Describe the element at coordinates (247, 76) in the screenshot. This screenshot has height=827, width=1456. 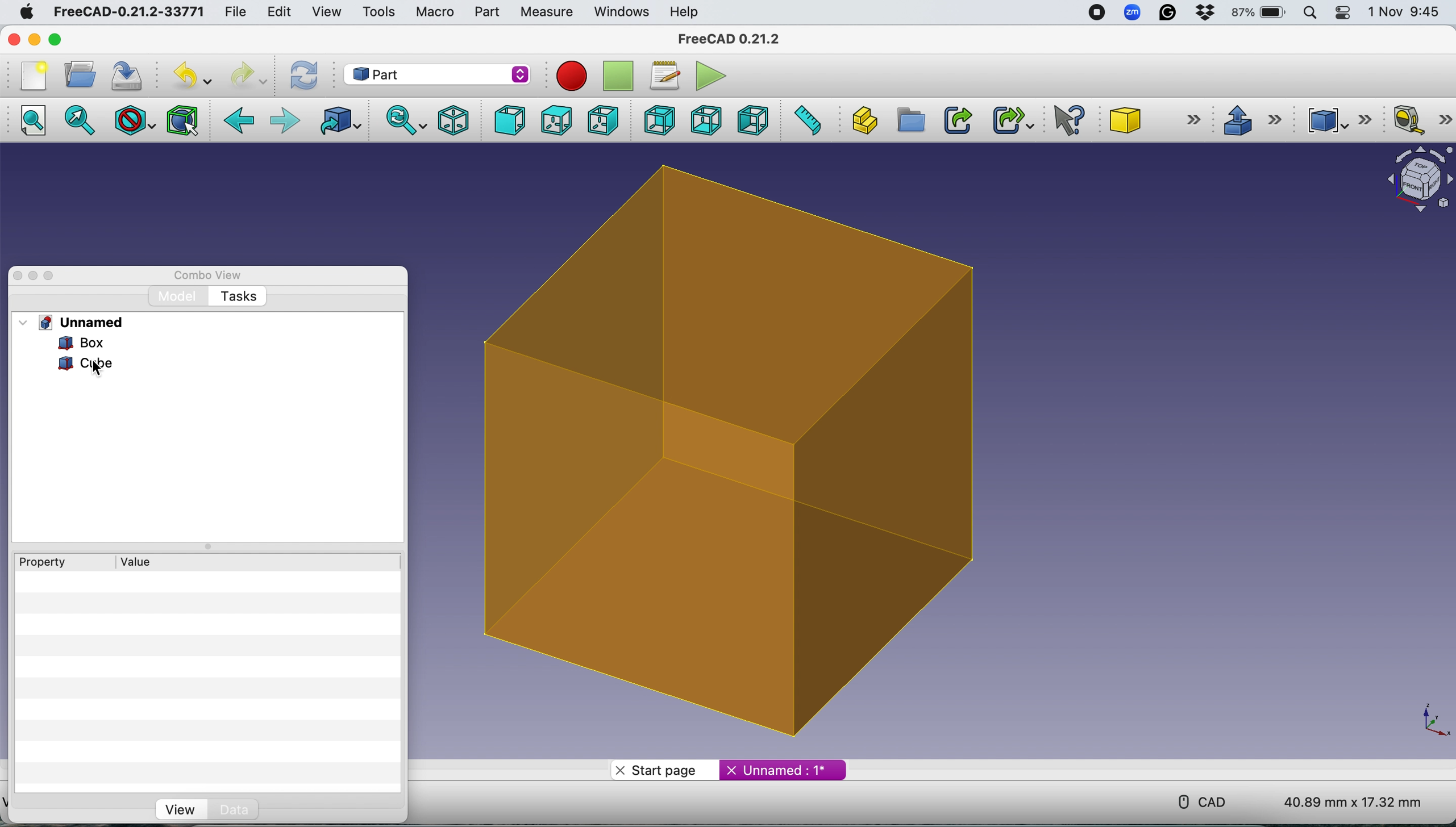
I see `Redo` at that location.